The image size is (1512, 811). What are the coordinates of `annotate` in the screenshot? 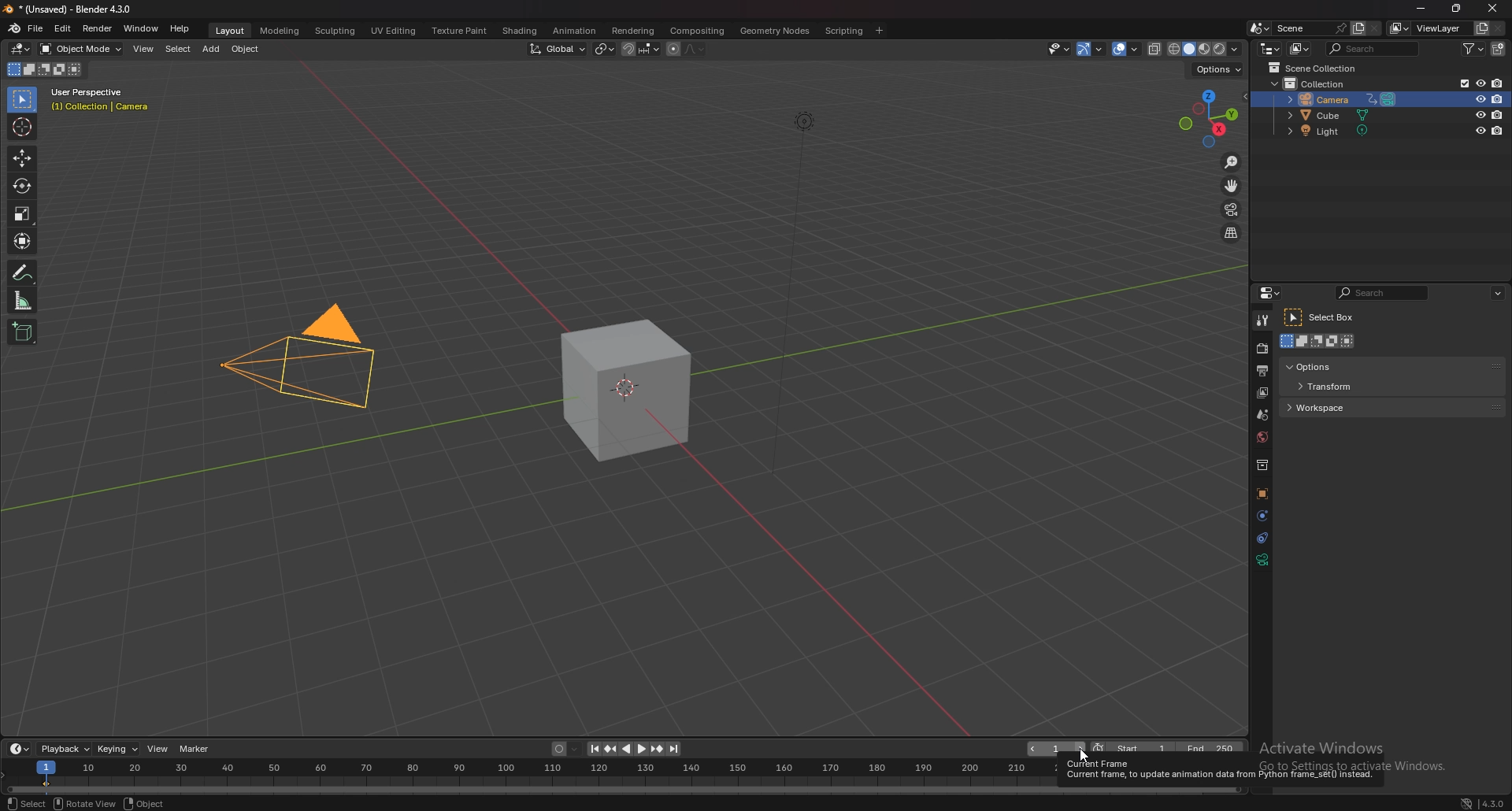 It's located at (24, 272).